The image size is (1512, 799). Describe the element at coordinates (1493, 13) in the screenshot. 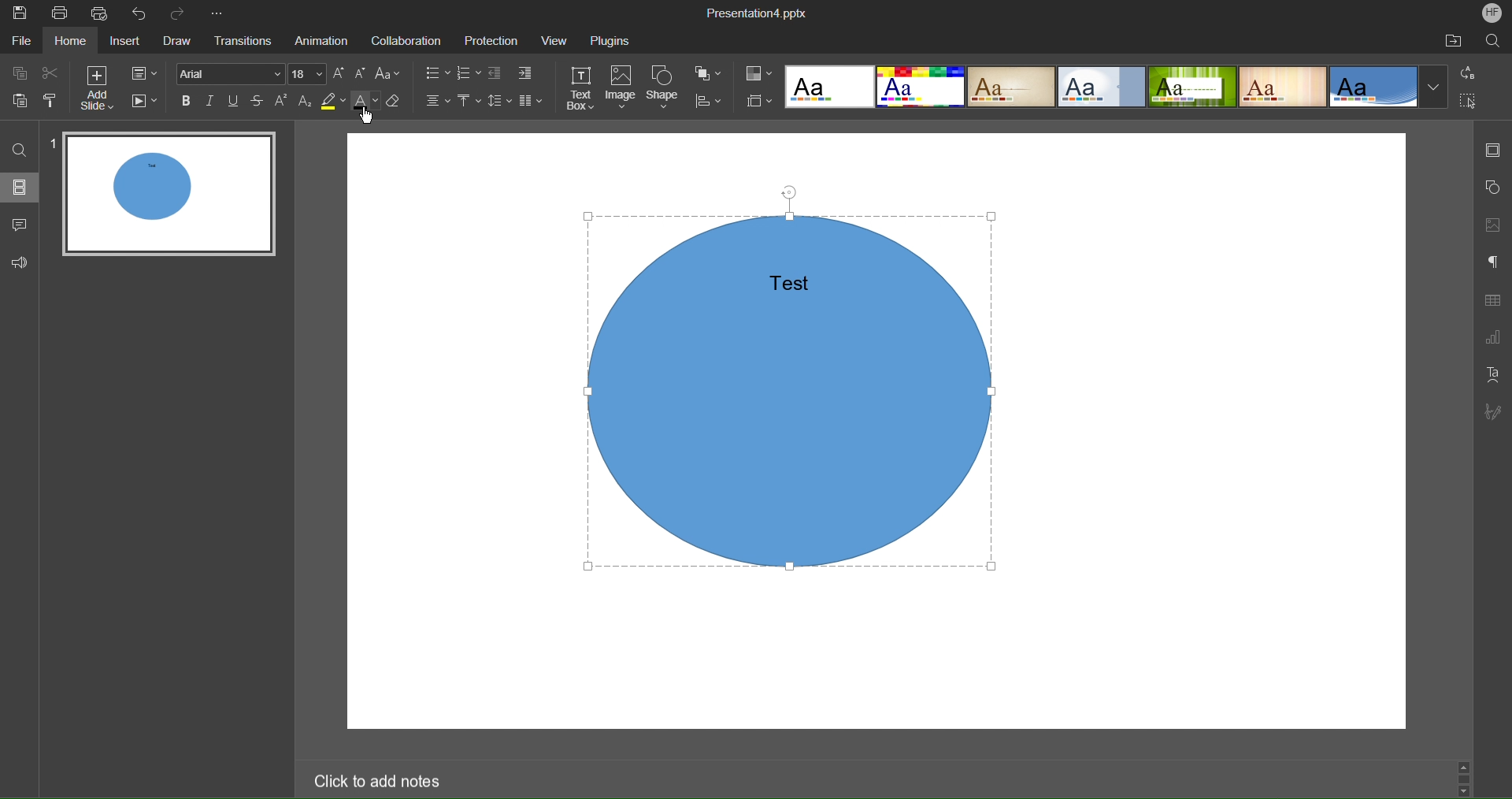

I see `Account` at that location.